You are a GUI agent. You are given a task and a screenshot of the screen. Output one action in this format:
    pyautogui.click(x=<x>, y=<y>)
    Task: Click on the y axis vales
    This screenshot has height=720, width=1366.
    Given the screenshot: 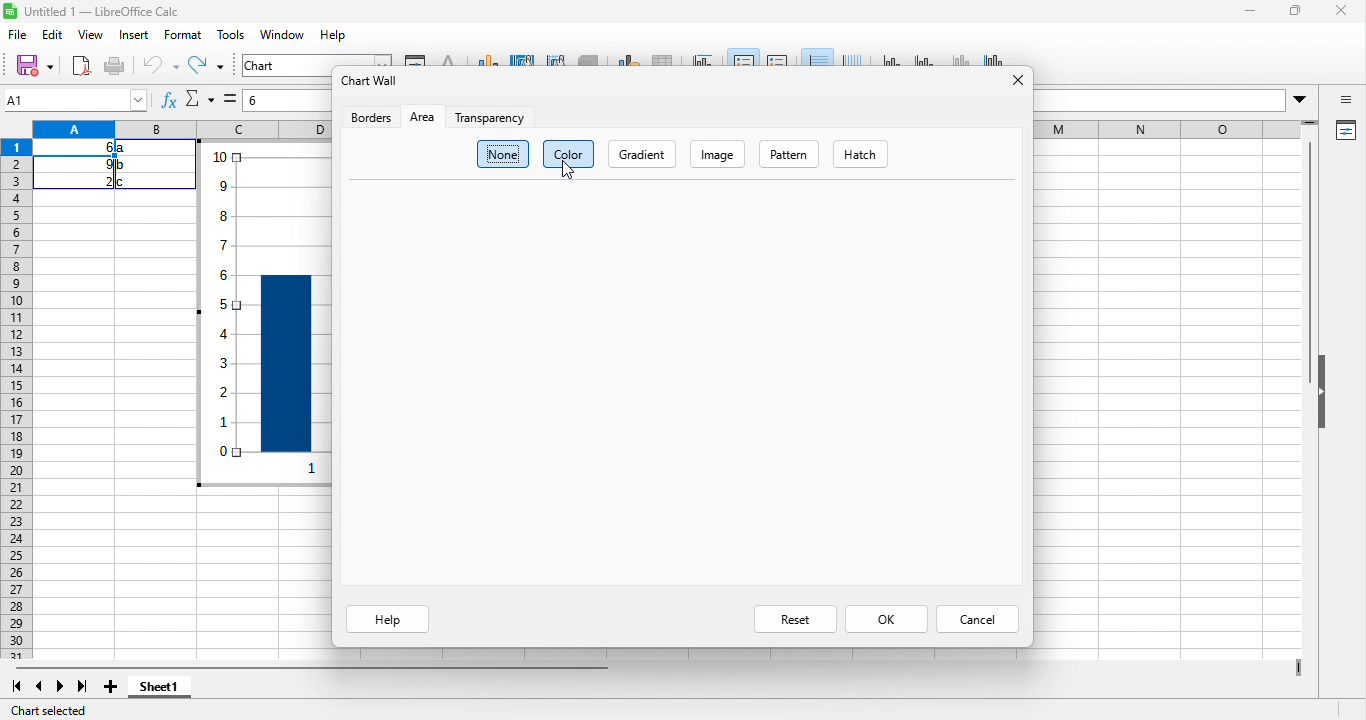 What is the action you would take?
    pyautogui.click(x=223, y=321)
    